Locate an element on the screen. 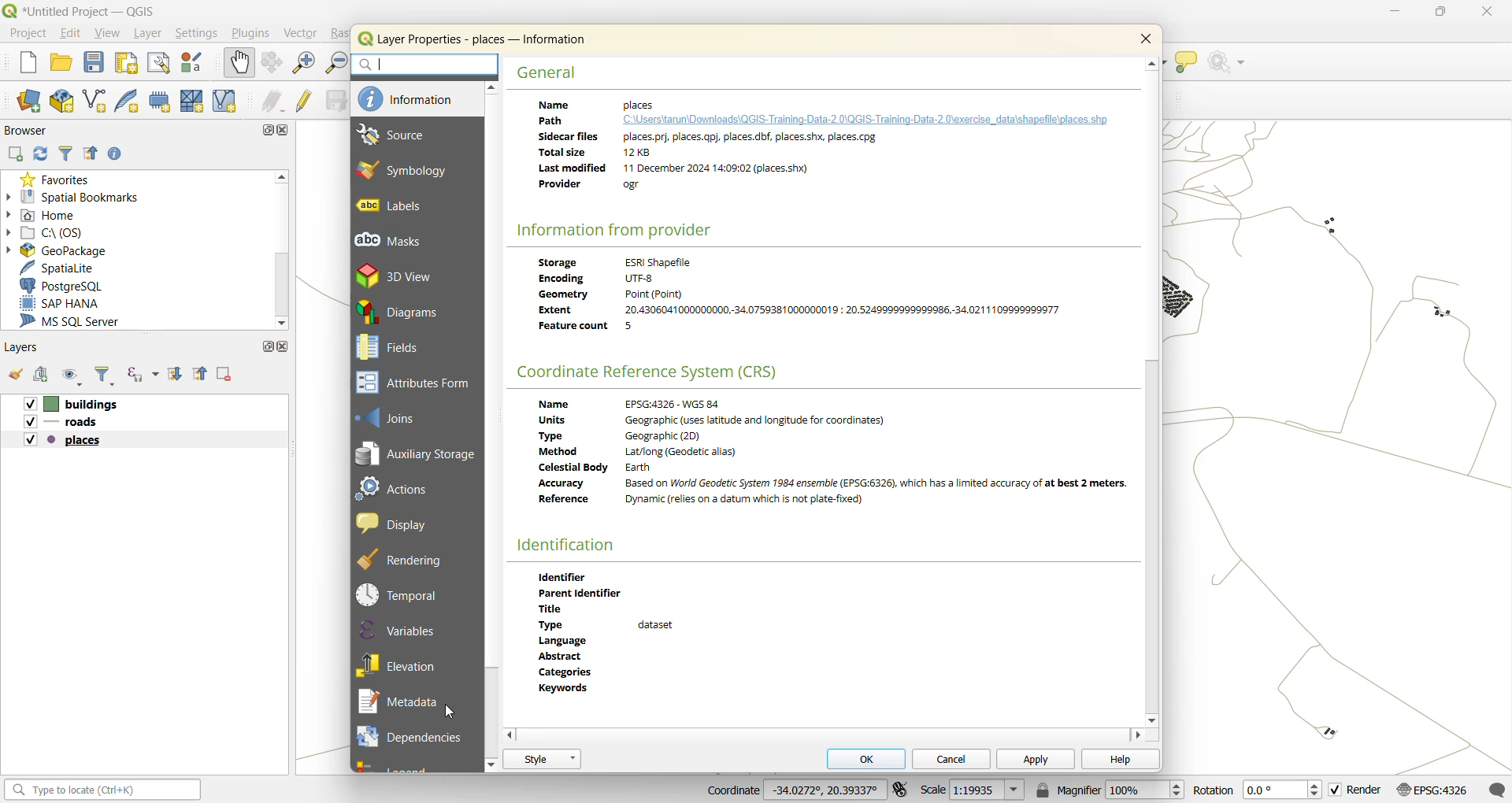 The width and height of the screenshot is (1512, 803). fields is located at coordinates (400, 348).